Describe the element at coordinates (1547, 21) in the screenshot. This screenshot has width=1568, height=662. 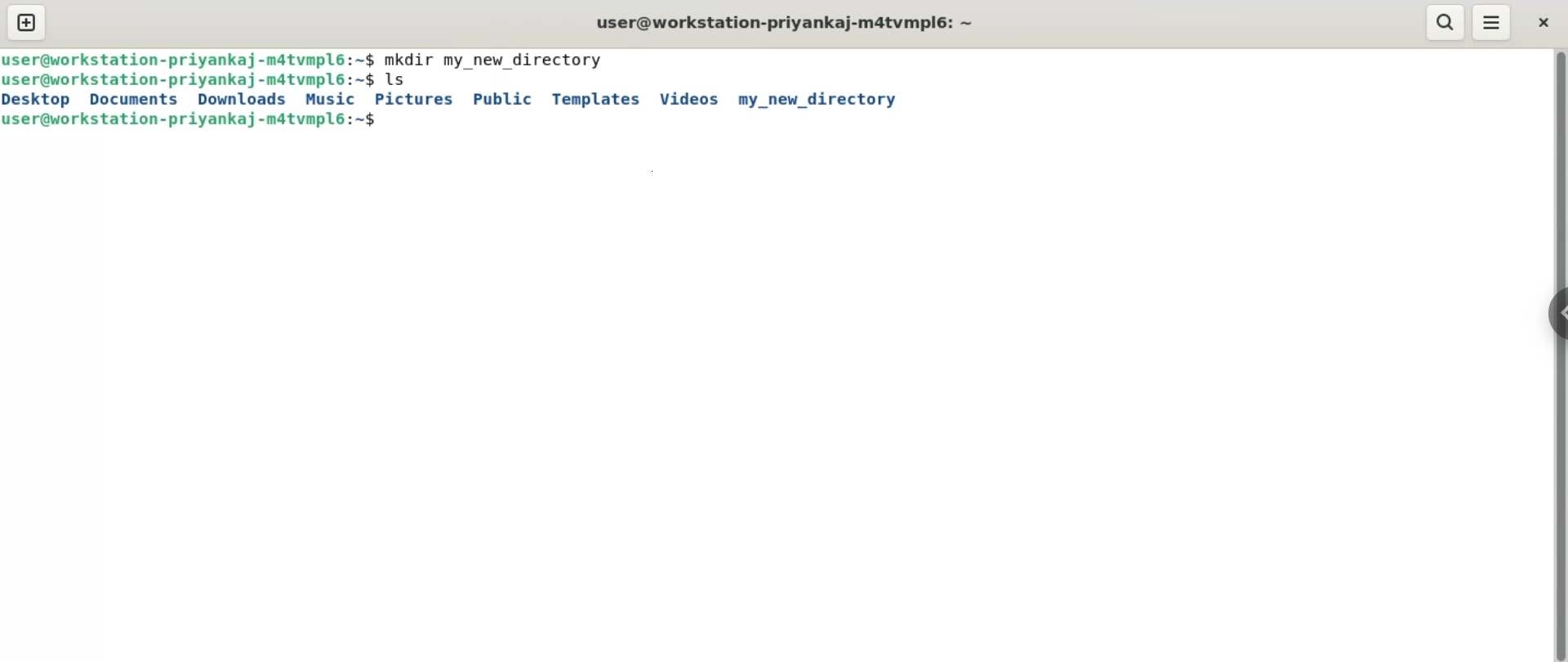
I see `close` at that location.